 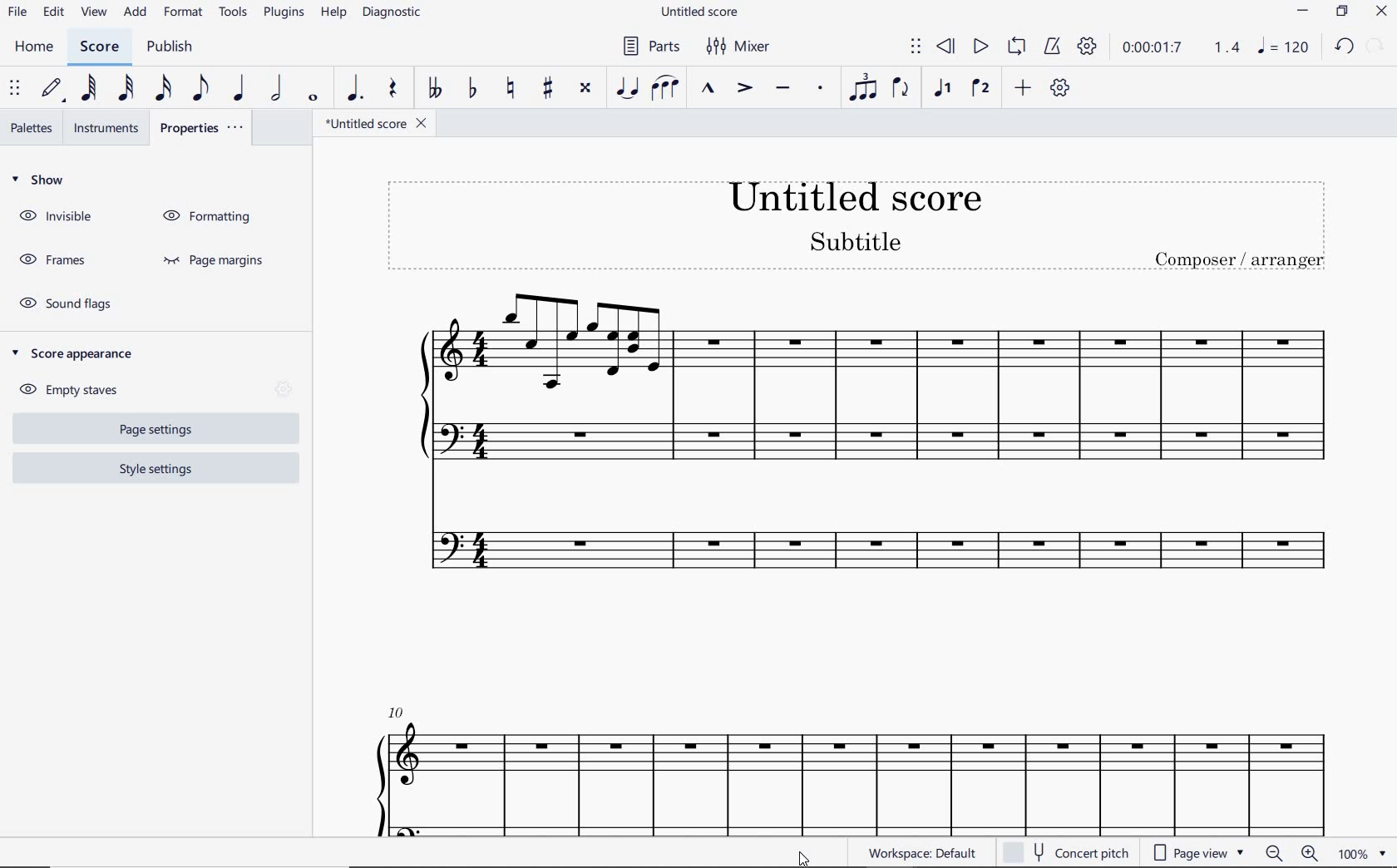 What do you see at coordinates (78, 353) in the screenshot?
I see `SCORE APPEARANCE` at bounding box center [78, 353].